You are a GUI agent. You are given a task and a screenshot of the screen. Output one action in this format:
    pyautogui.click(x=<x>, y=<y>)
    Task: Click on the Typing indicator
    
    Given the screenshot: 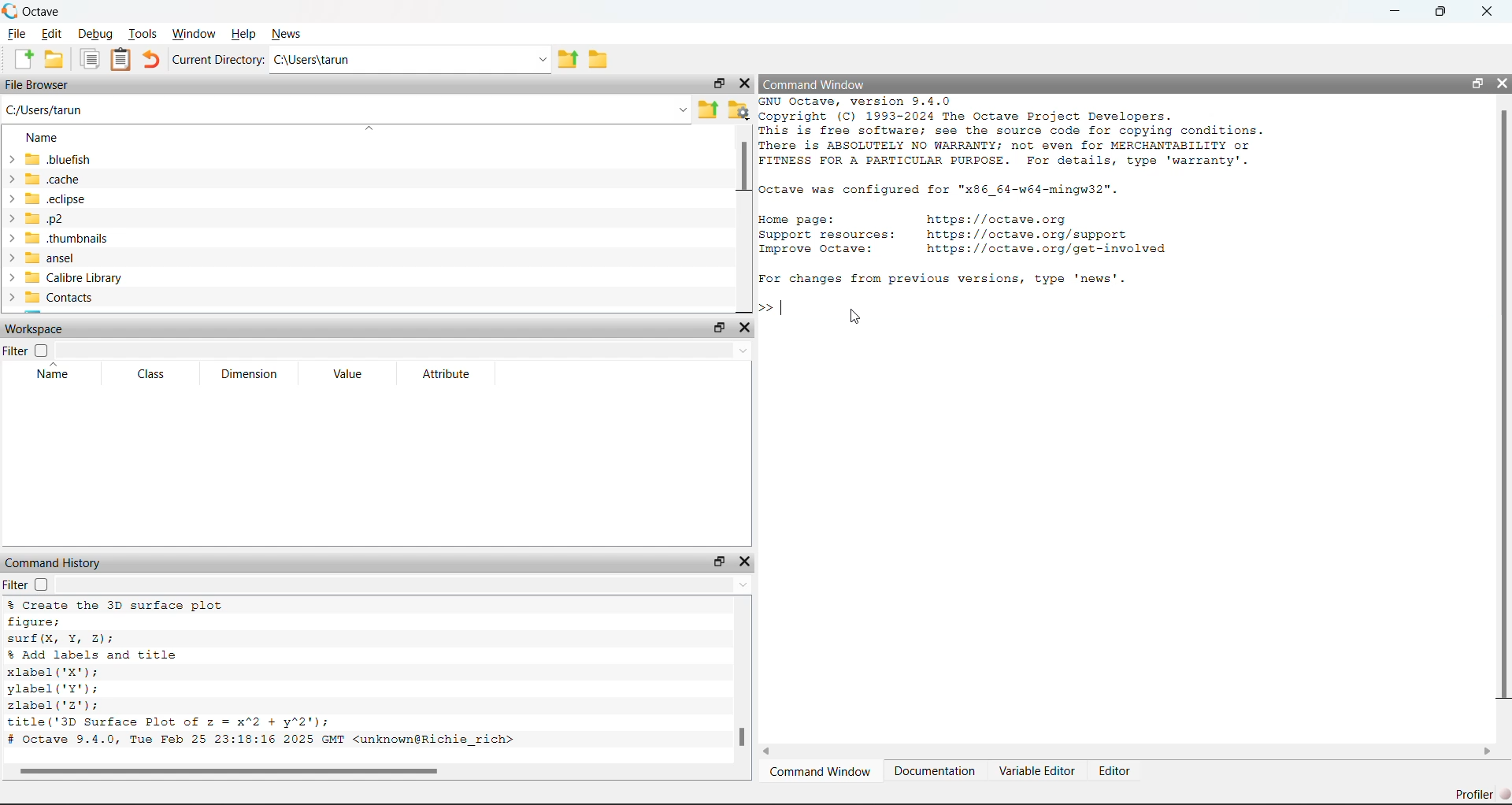 What is the action you would take?
    pyautogui.click(x=779, y=310)
    